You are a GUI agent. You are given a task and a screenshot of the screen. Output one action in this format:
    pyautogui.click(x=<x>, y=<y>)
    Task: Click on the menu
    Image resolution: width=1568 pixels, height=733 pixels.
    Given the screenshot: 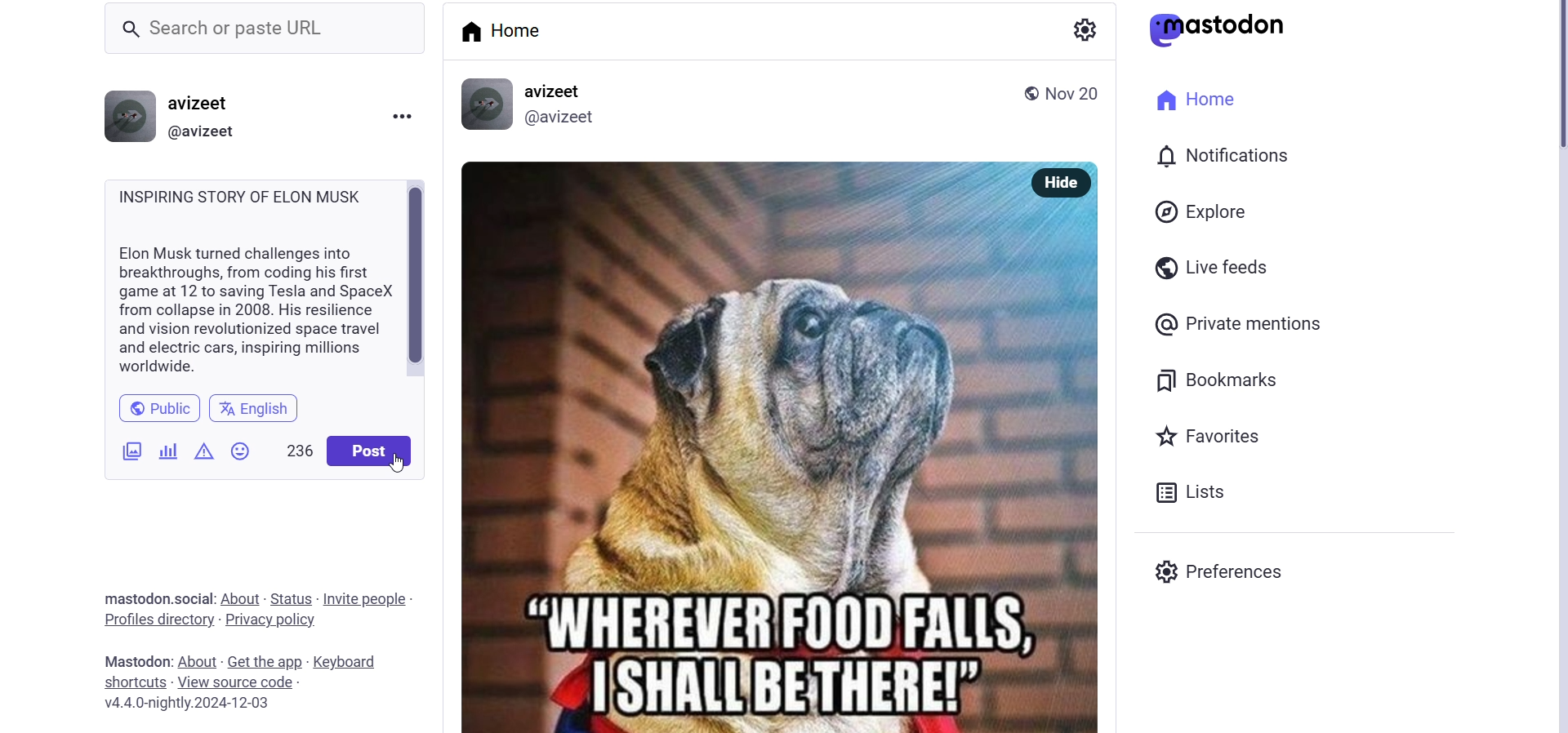 What is the action you would take?
    pyautogui.click(x=399, y=115)
    